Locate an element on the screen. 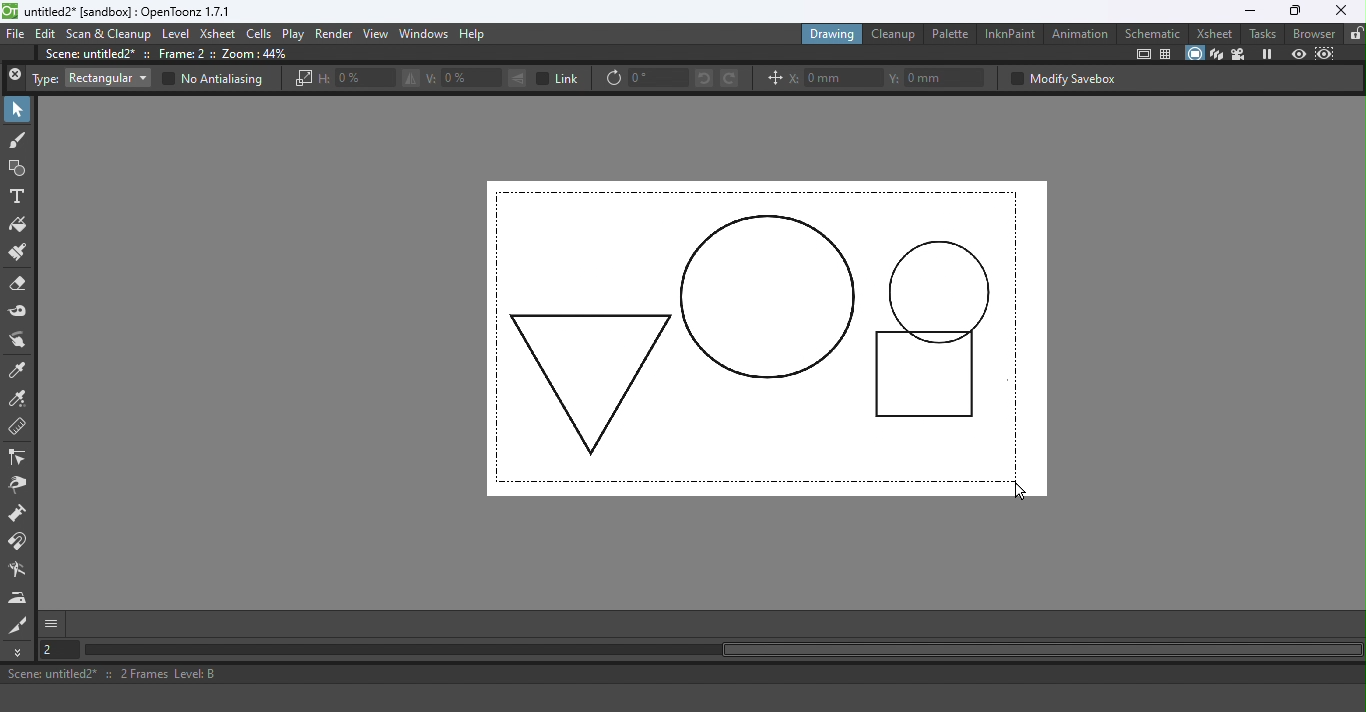 The height and width of the screenshot is (712, 1366). Xsheet is located at coordinates (218, 34).